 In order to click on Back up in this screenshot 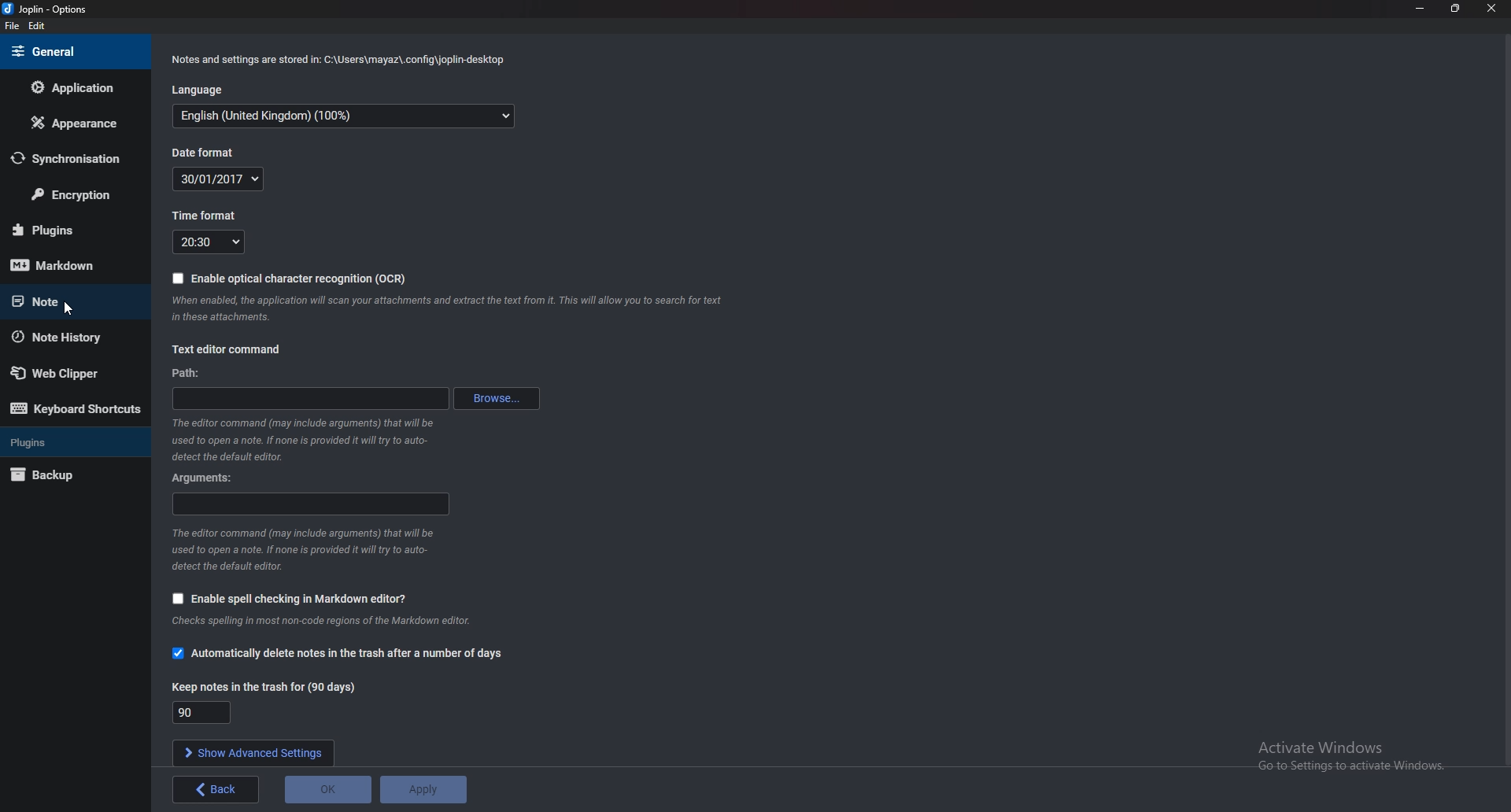, I will do `click(65, 474)`.